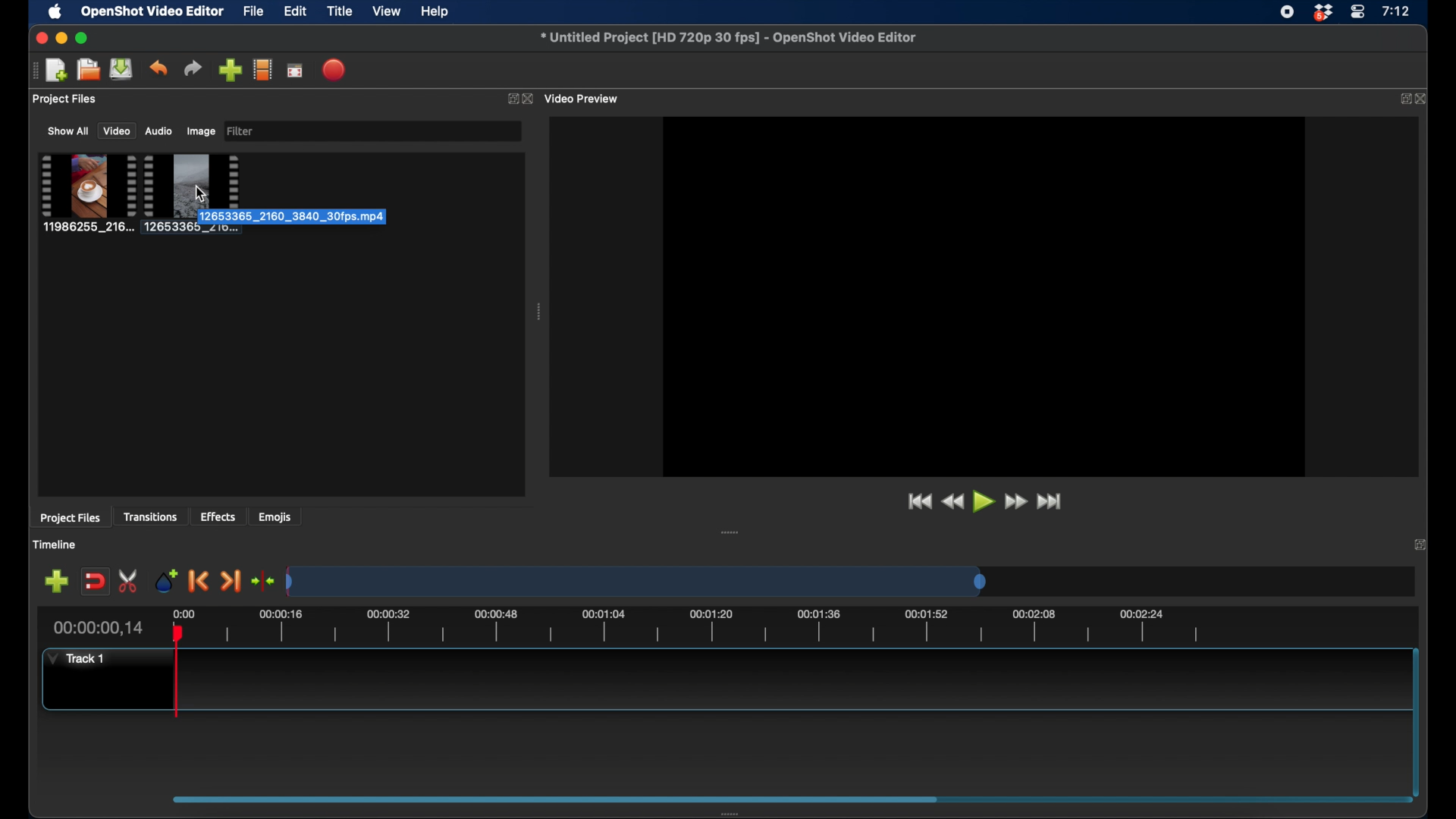 The width and height of the screenshot is (1456, 819). What do you see at coordinates (158, 131) in the screenshot?
I see `audio` at bounding box center [158, 131].